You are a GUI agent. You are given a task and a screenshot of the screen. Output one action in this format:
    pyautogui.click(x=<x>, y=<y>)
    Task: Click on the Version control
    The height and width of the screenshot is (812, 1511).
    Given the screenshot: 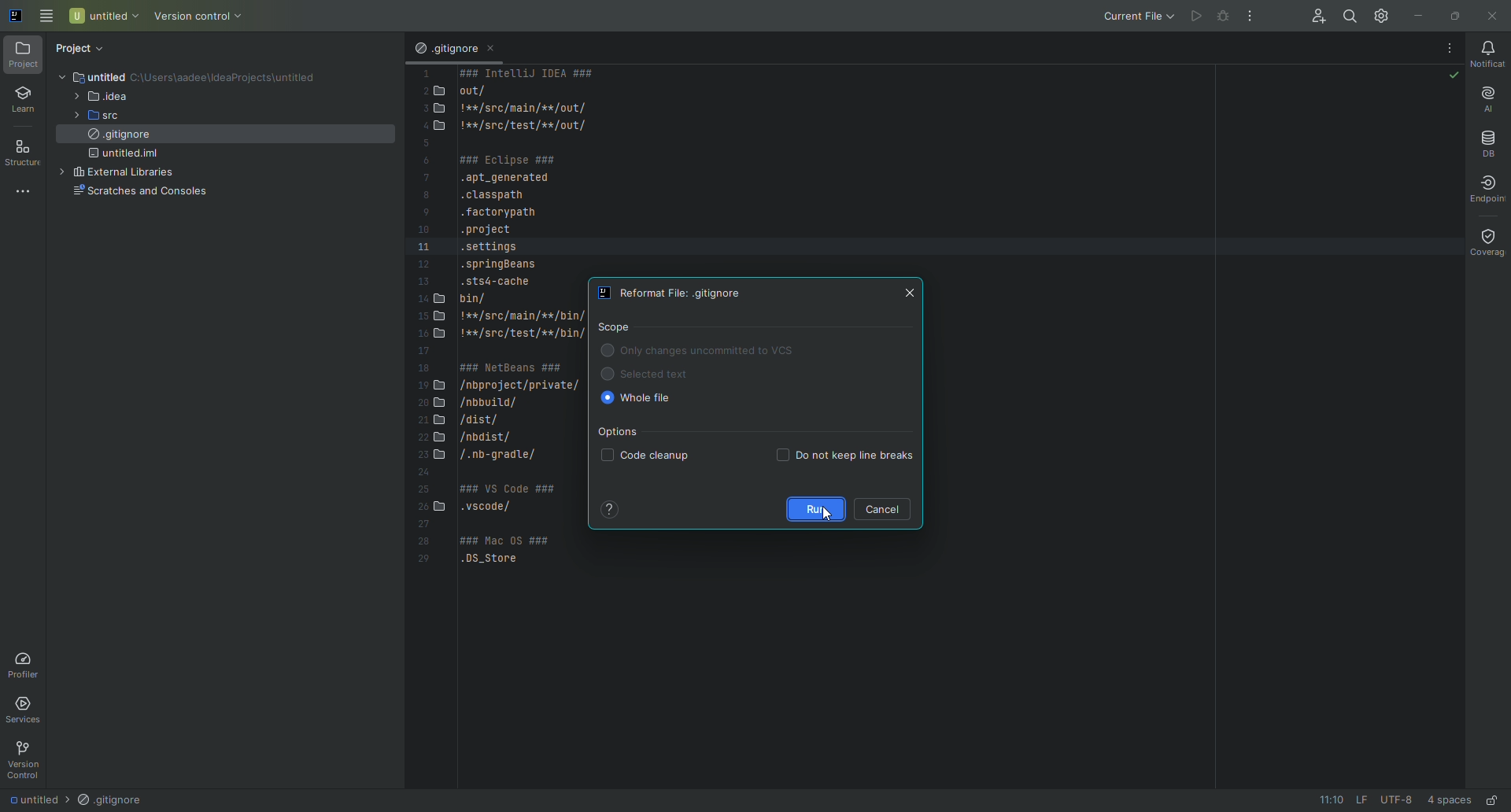 What is the action you would take?
    pyautogui.click(x=201, y=15)
    